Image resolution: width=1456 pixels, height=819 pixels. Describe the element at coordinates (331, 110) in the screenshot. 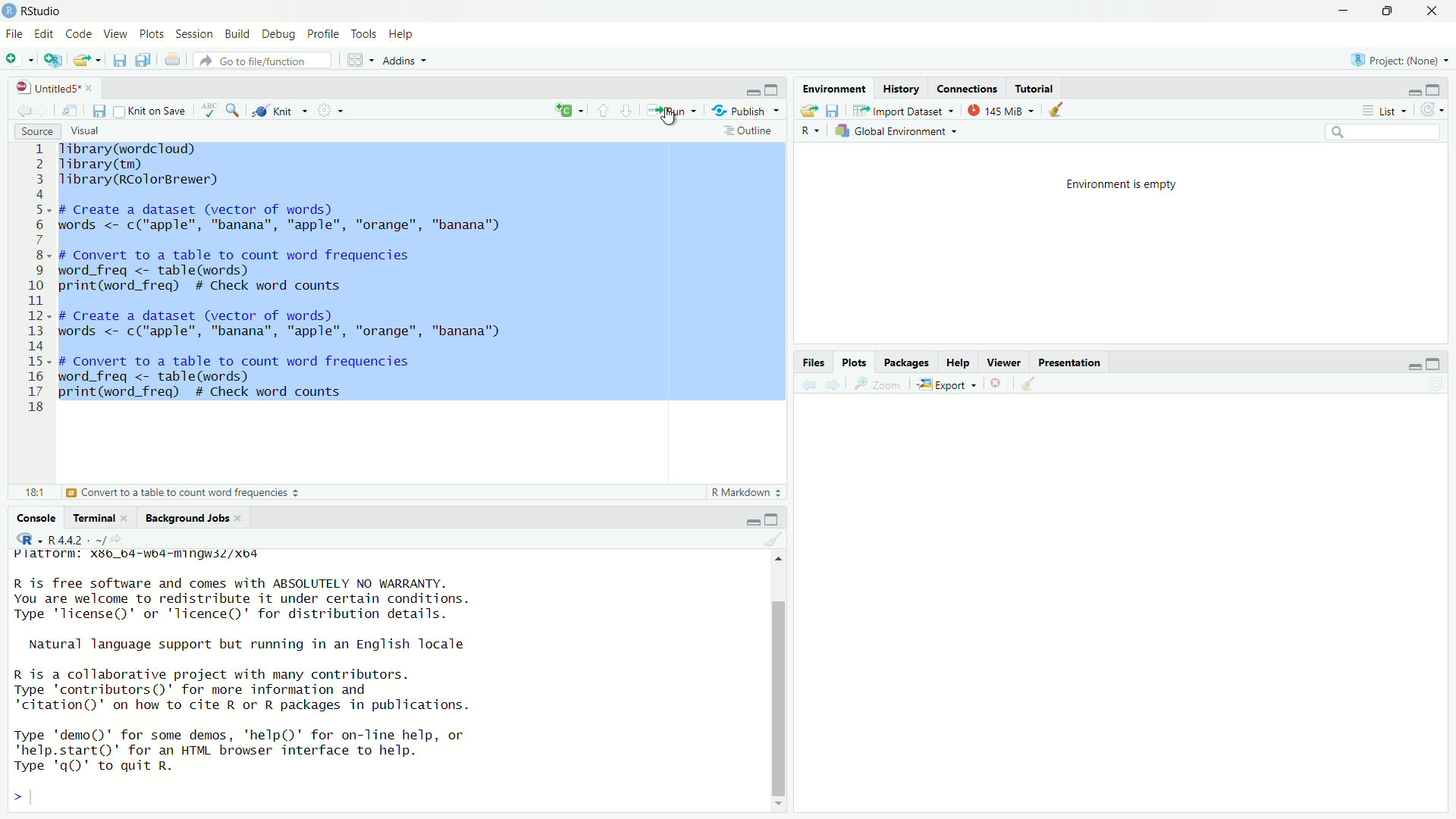

I see `Settings` at that location.